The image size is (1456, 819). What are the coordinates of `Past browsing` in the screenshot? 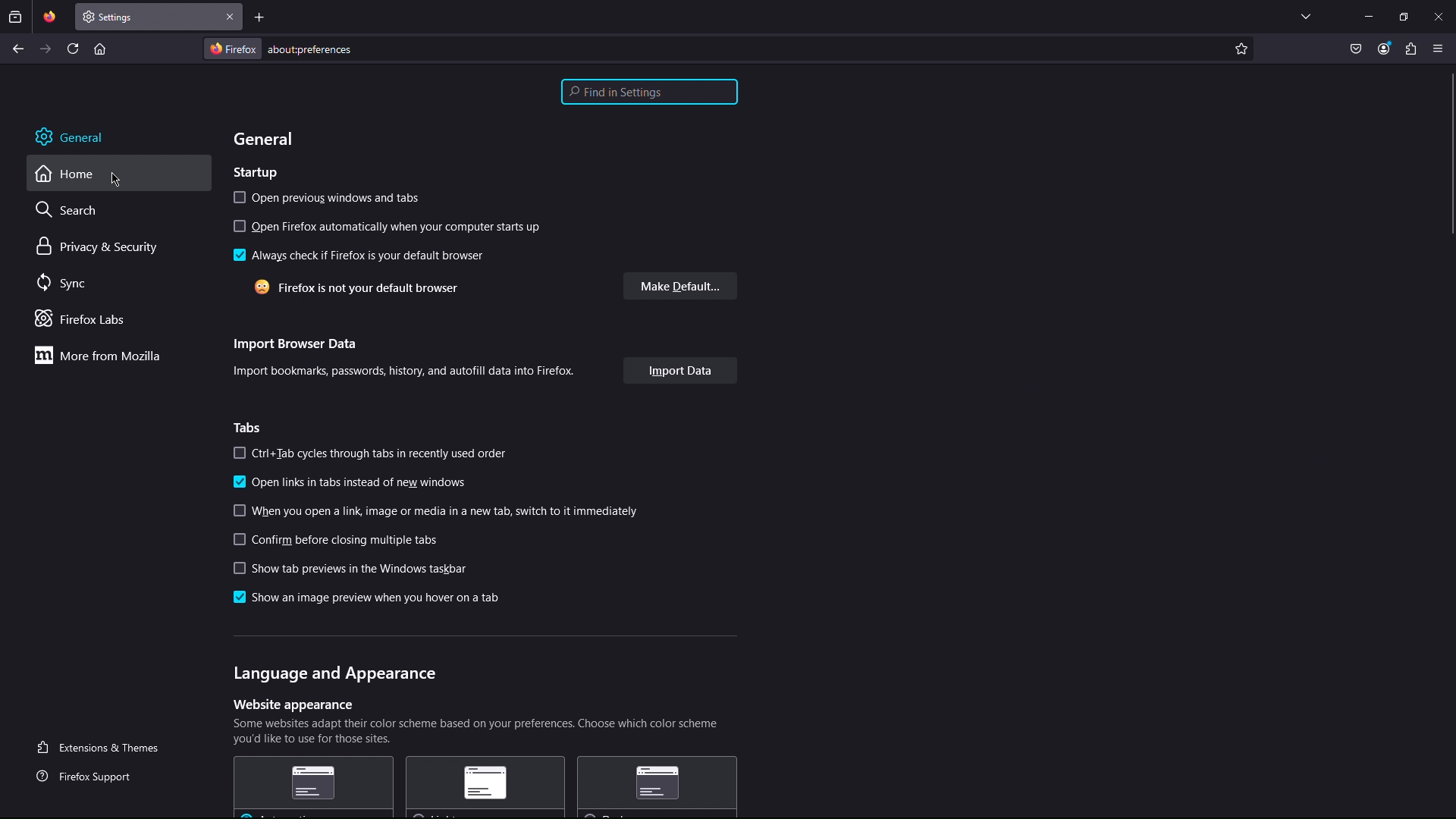 It's located at (15, 17).